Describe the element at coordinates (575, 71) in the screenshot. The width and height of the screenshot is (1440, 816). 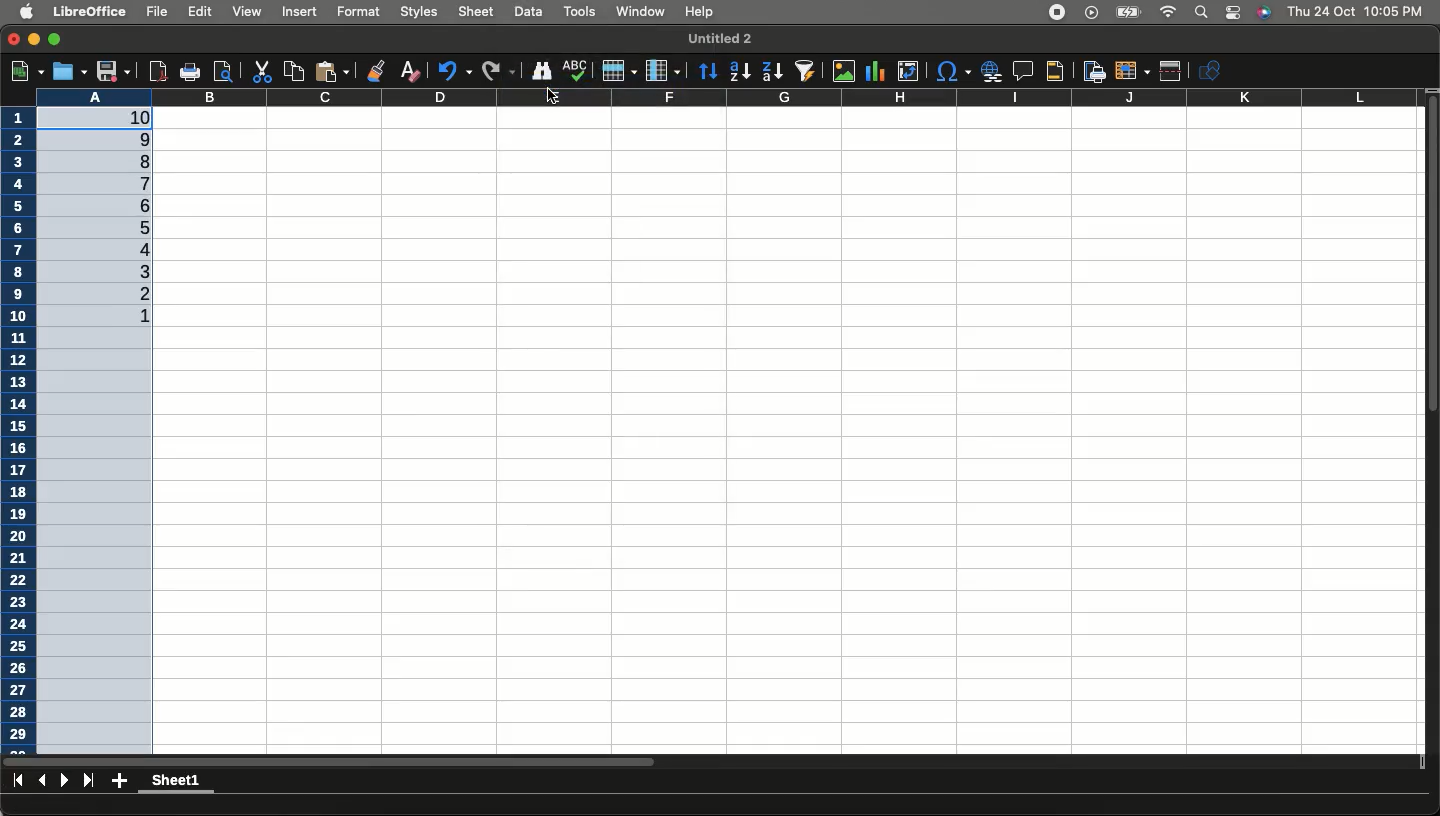
I see `Spelling` at that location.